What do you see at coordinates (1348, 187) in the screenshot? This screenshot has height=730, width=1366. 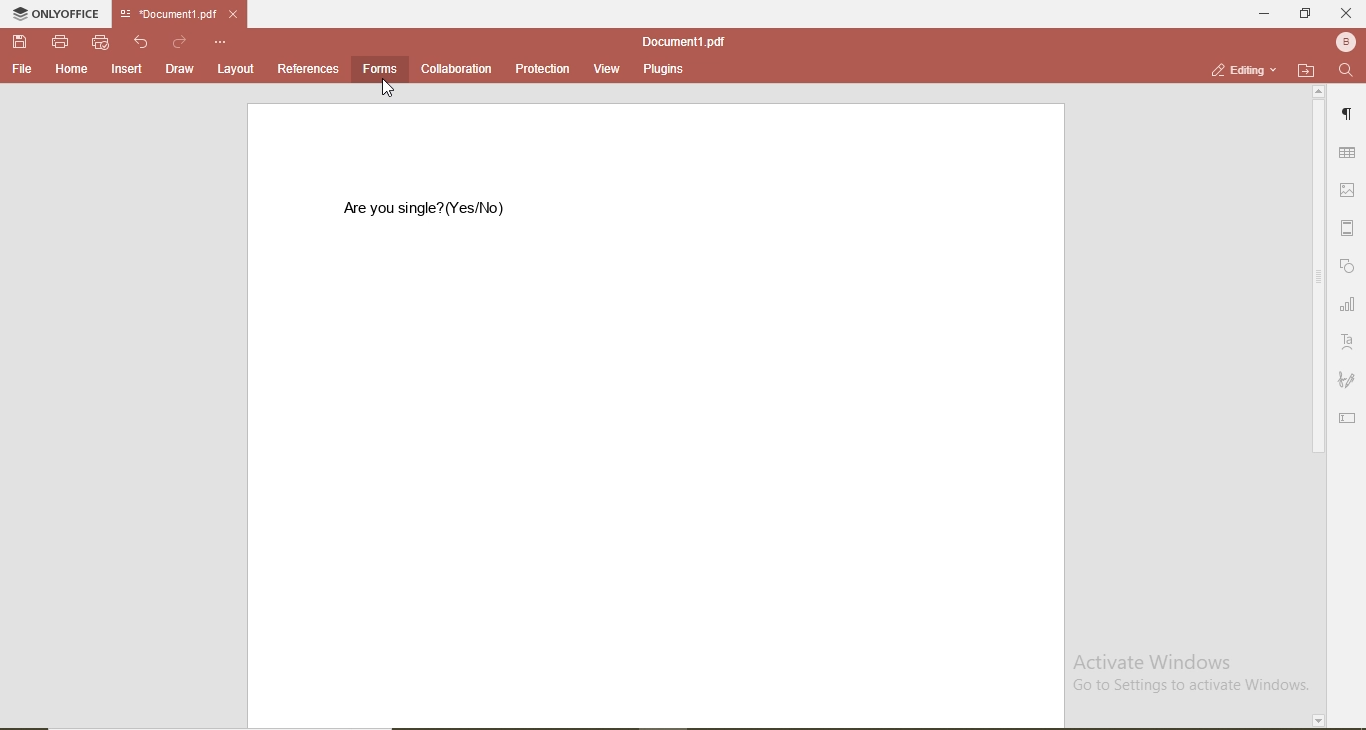 I see `image` at bounding box center [1348, 187].